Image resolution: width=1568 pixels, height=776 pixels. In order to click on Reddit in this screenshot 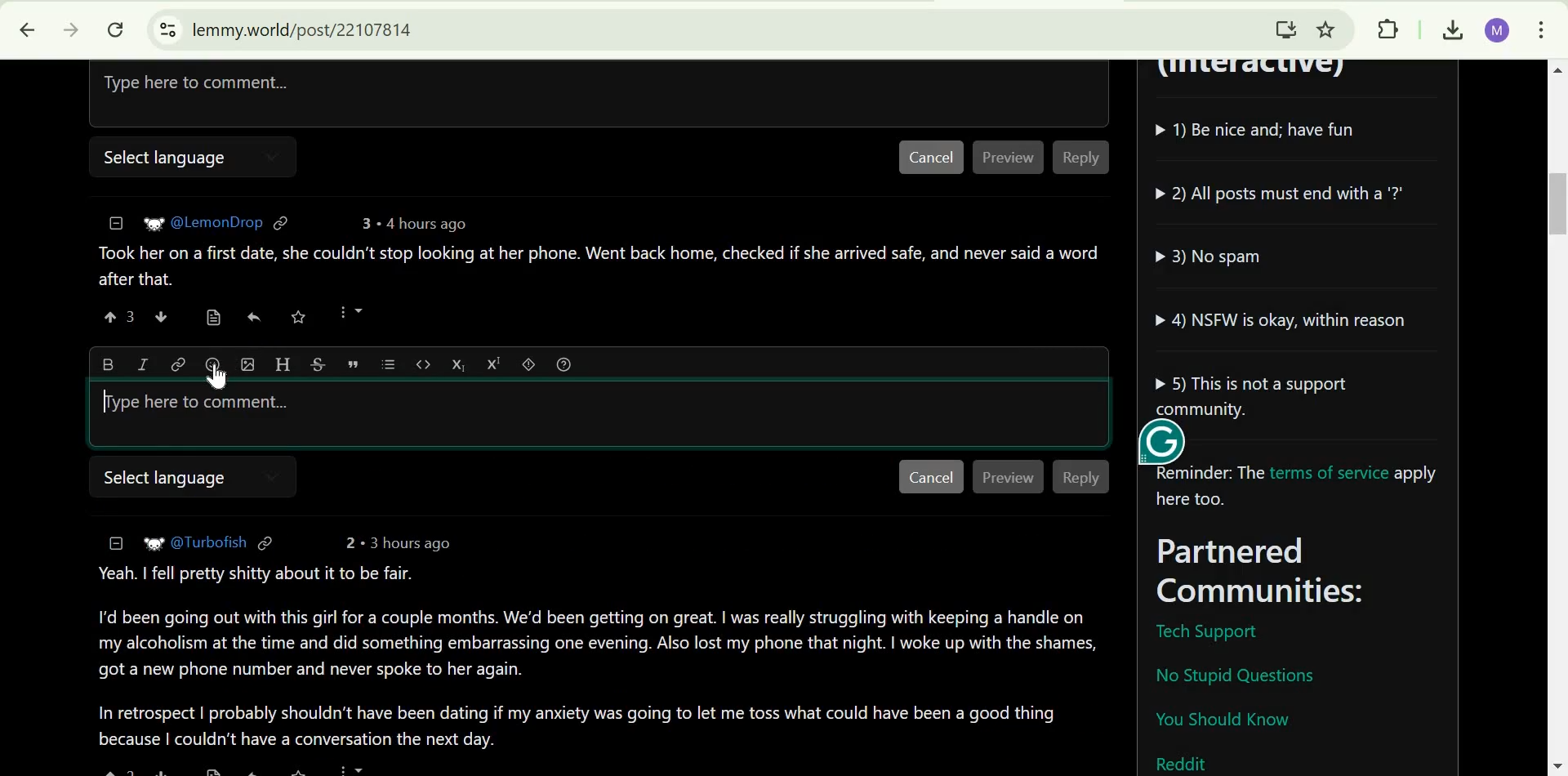, I will do `click(1183, 761)`.